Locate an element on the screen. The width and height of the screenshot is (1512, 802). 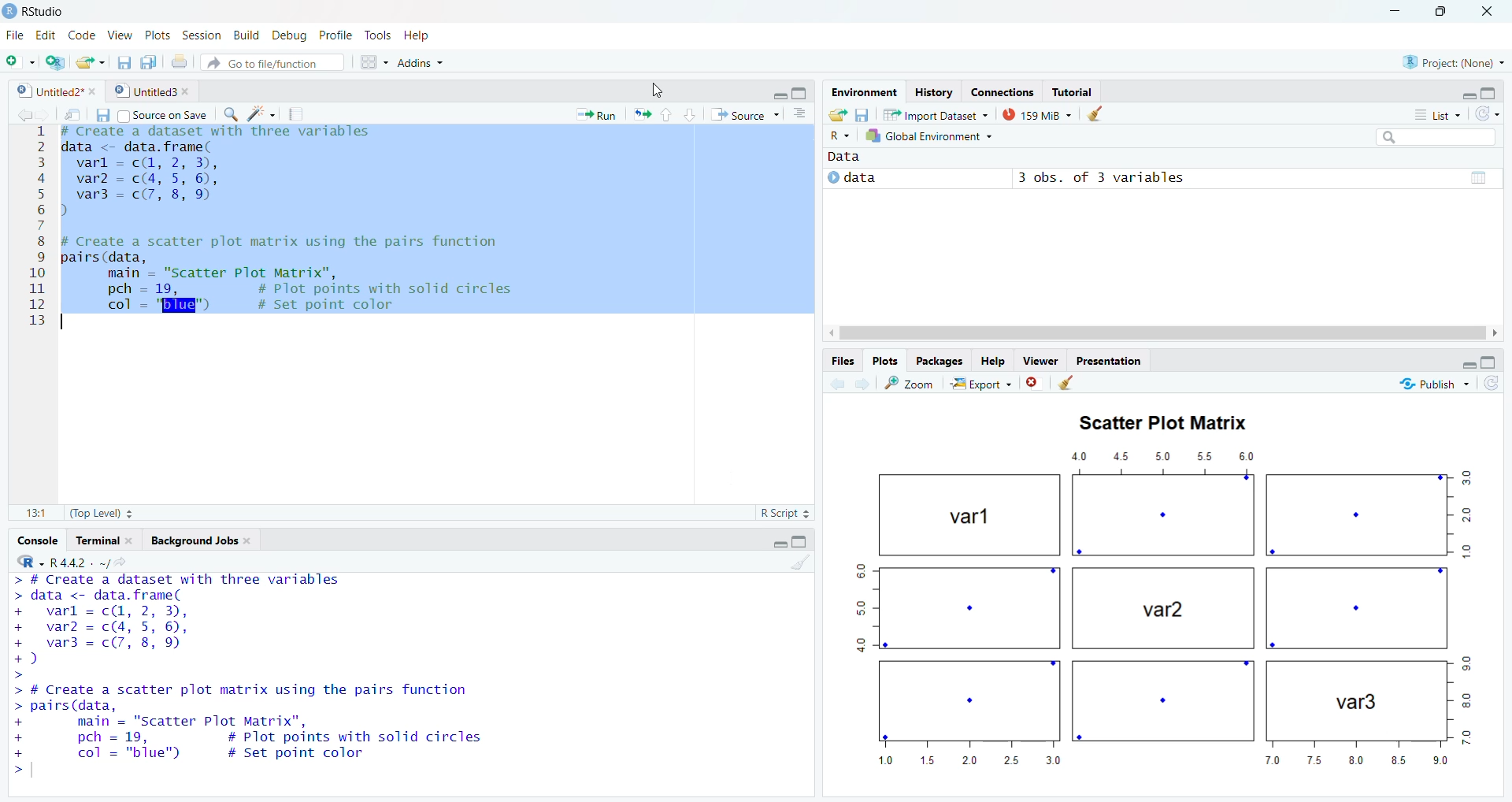
Edit is located at coordinates (46, 35).